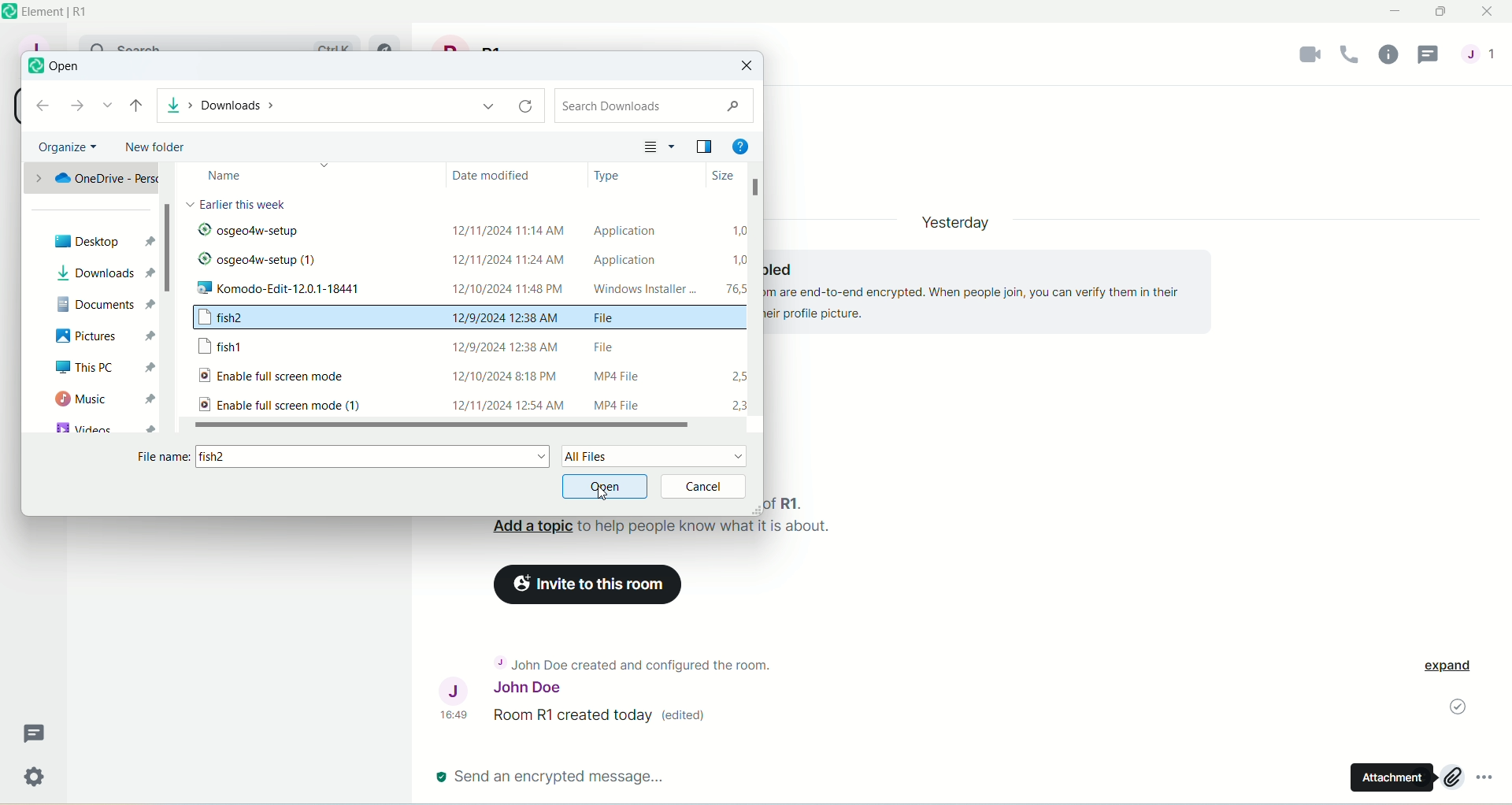  What do you see at coordinates (1388, 55) in the screenshot?
I see `room info` at bounding box center [1388, 55].